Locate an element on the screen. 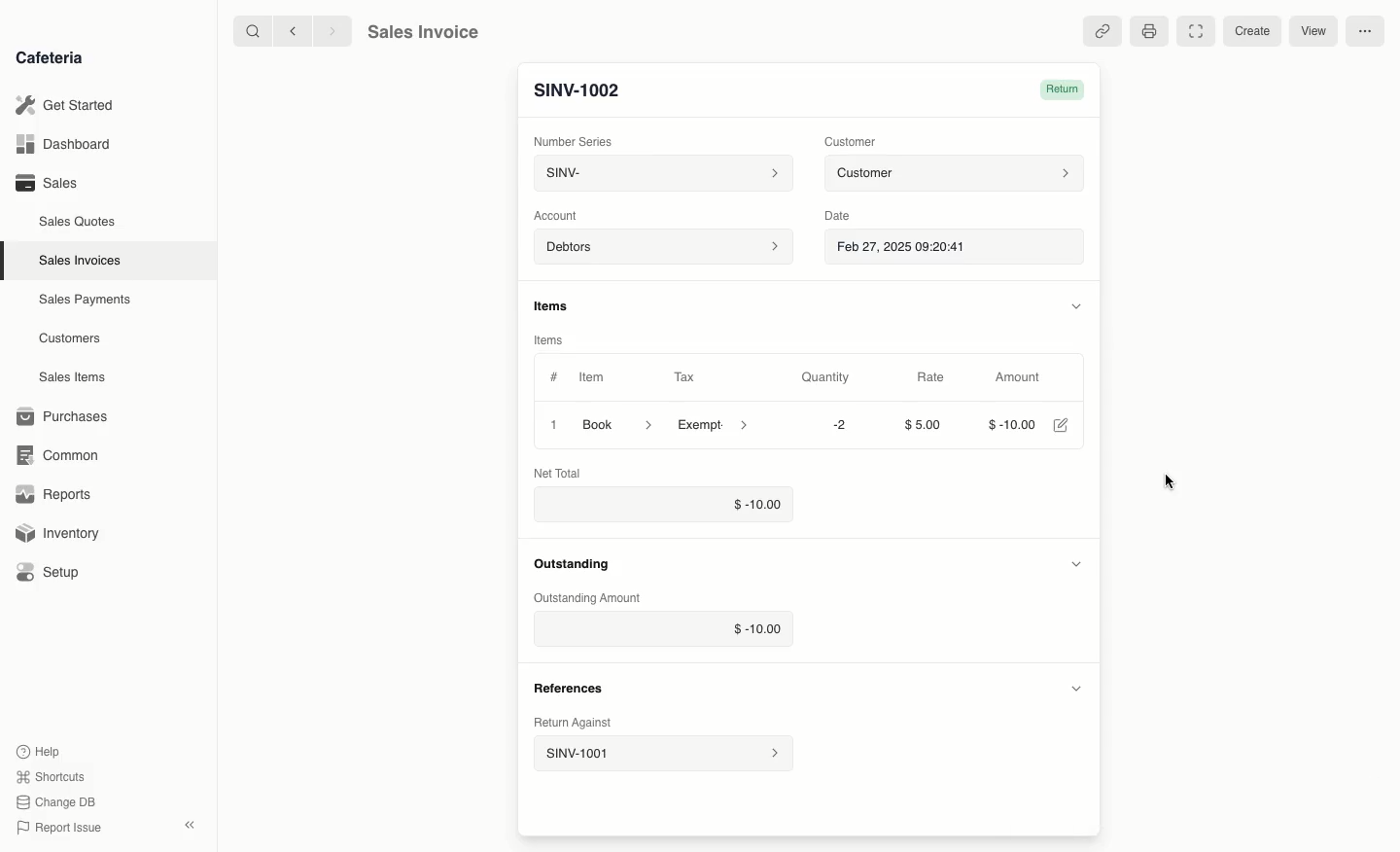  Items is located at coordinates (554, 305).